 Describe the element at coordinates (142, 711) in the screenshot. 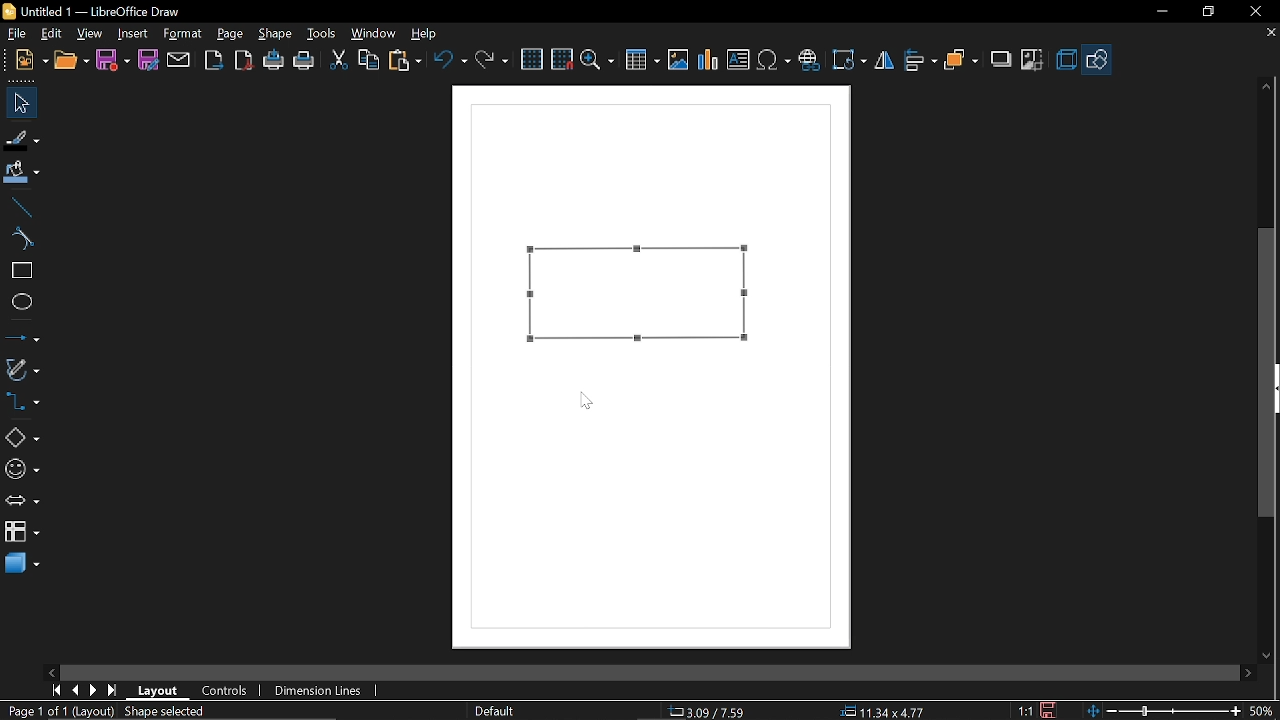

I see `(Layout) Shape selected` at that location.